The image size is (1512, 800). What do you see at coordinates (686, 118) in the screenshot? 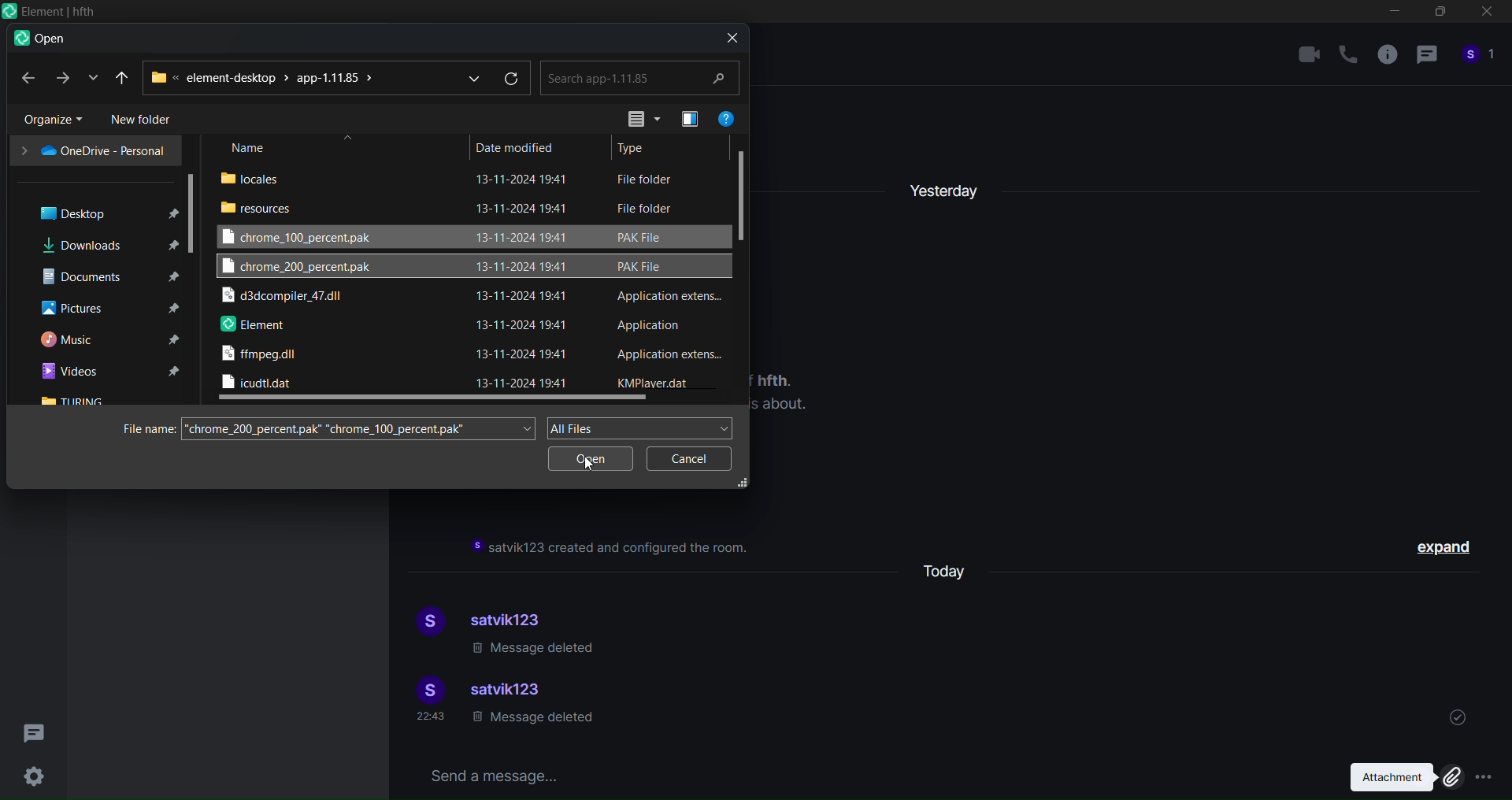
I see `preview pane` at bounding box center [686, 118].